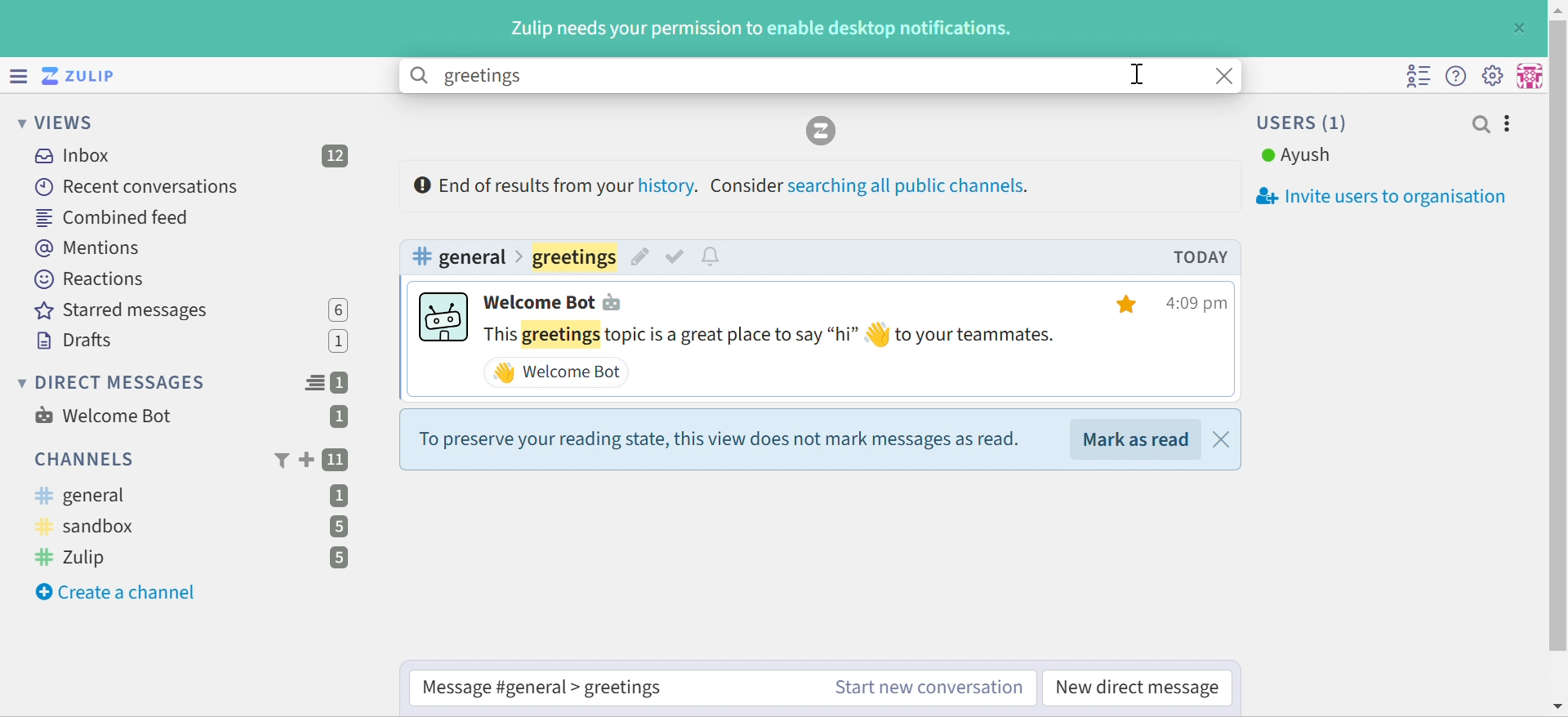  I want to click on Hide user list, so click(1419, 77).